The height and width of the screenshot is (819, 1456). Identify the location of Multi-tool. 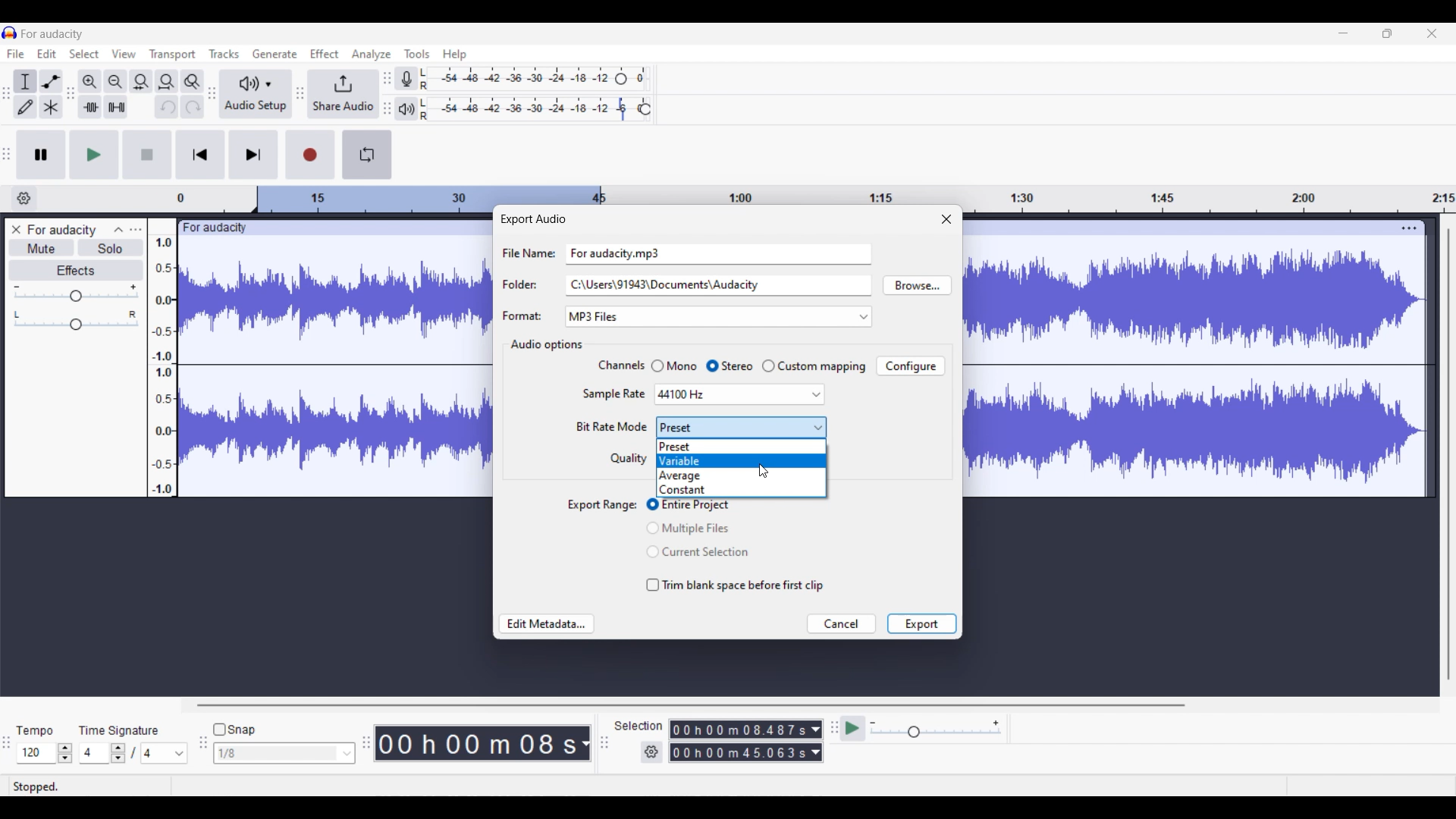
(51, 107).